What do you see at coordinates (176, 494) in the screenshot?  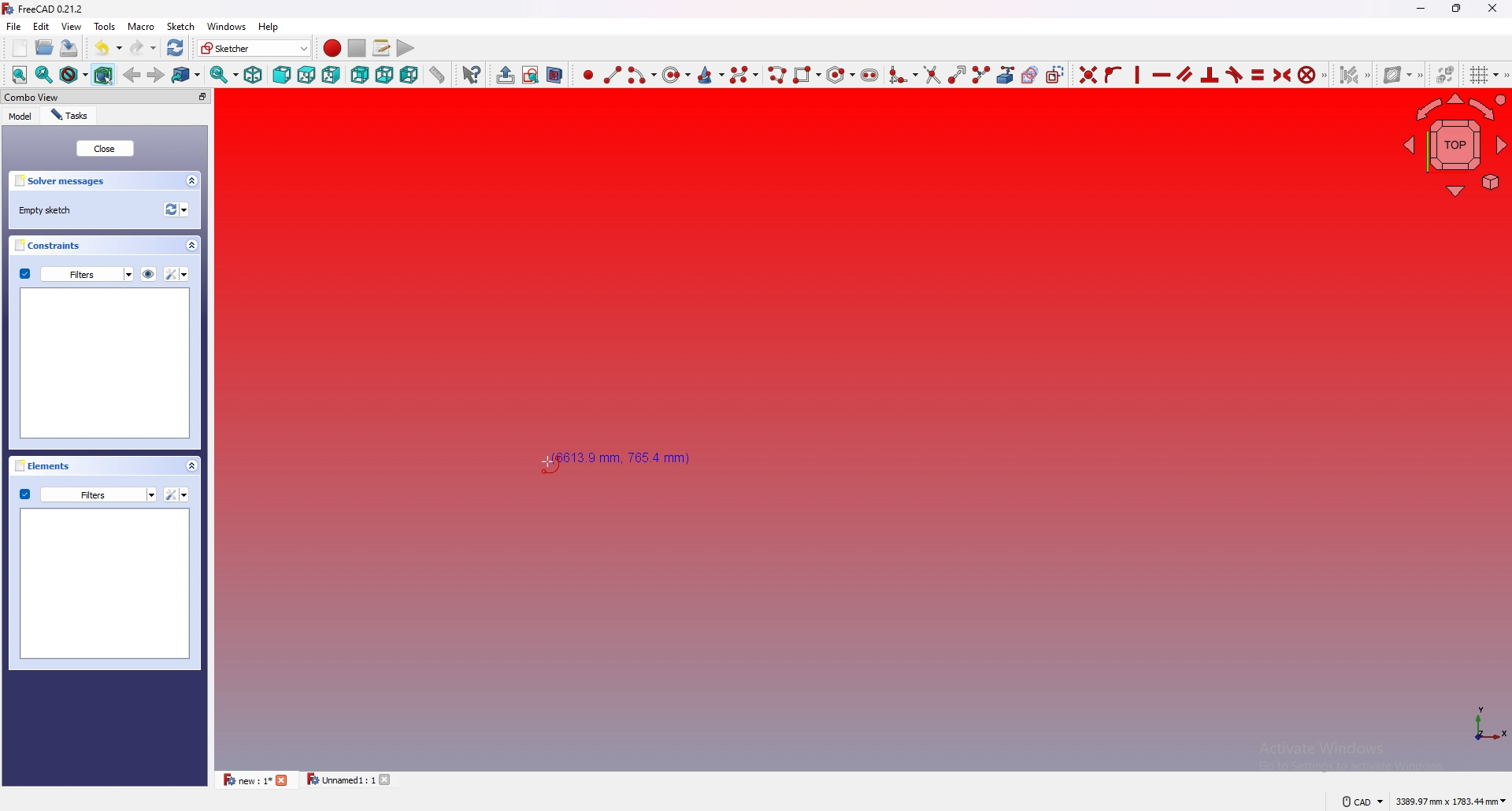 I see `settings` at bounding box center [176, 494].